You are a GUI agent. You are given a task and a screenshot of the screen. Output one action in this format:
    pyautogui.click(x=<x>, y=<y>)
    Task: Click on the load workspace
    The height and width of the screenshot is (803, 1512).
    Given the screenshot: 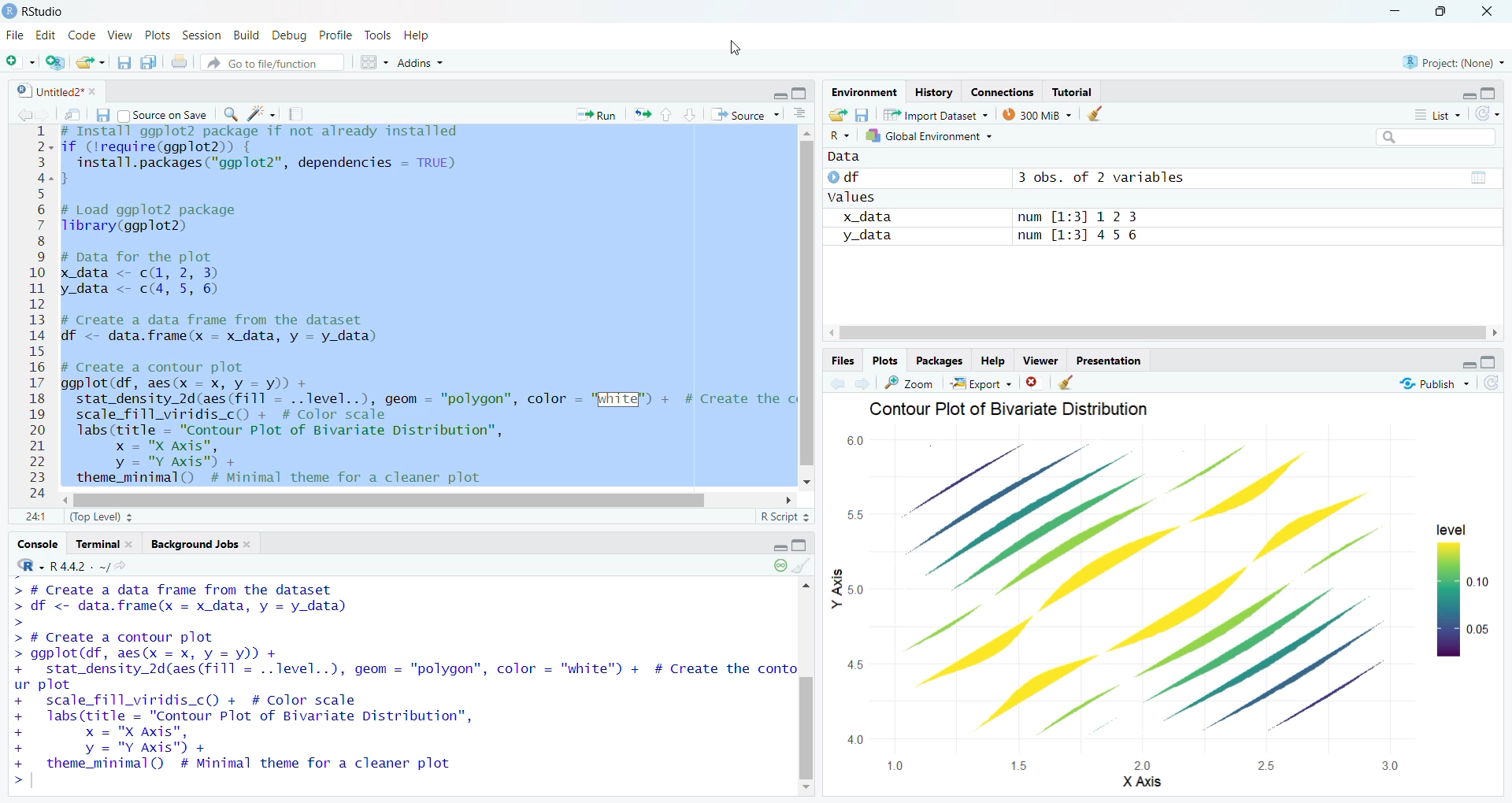 What is the action you would take?
    pyautogui.click(x=839, y=115)
    